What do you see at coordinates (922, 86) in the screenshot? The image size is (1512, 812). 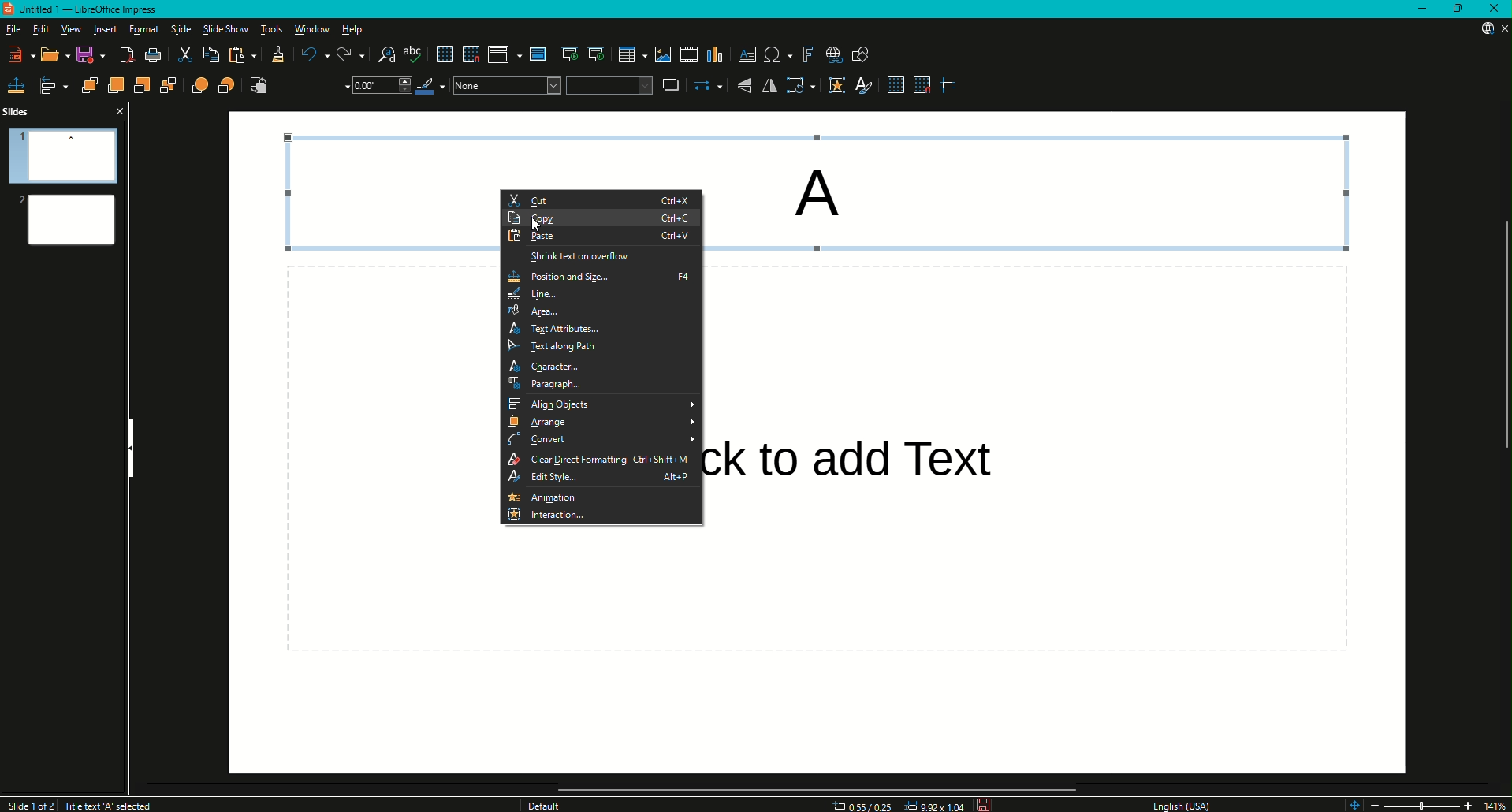 I see `Snap to Grid` at bounding box center [922, 86].